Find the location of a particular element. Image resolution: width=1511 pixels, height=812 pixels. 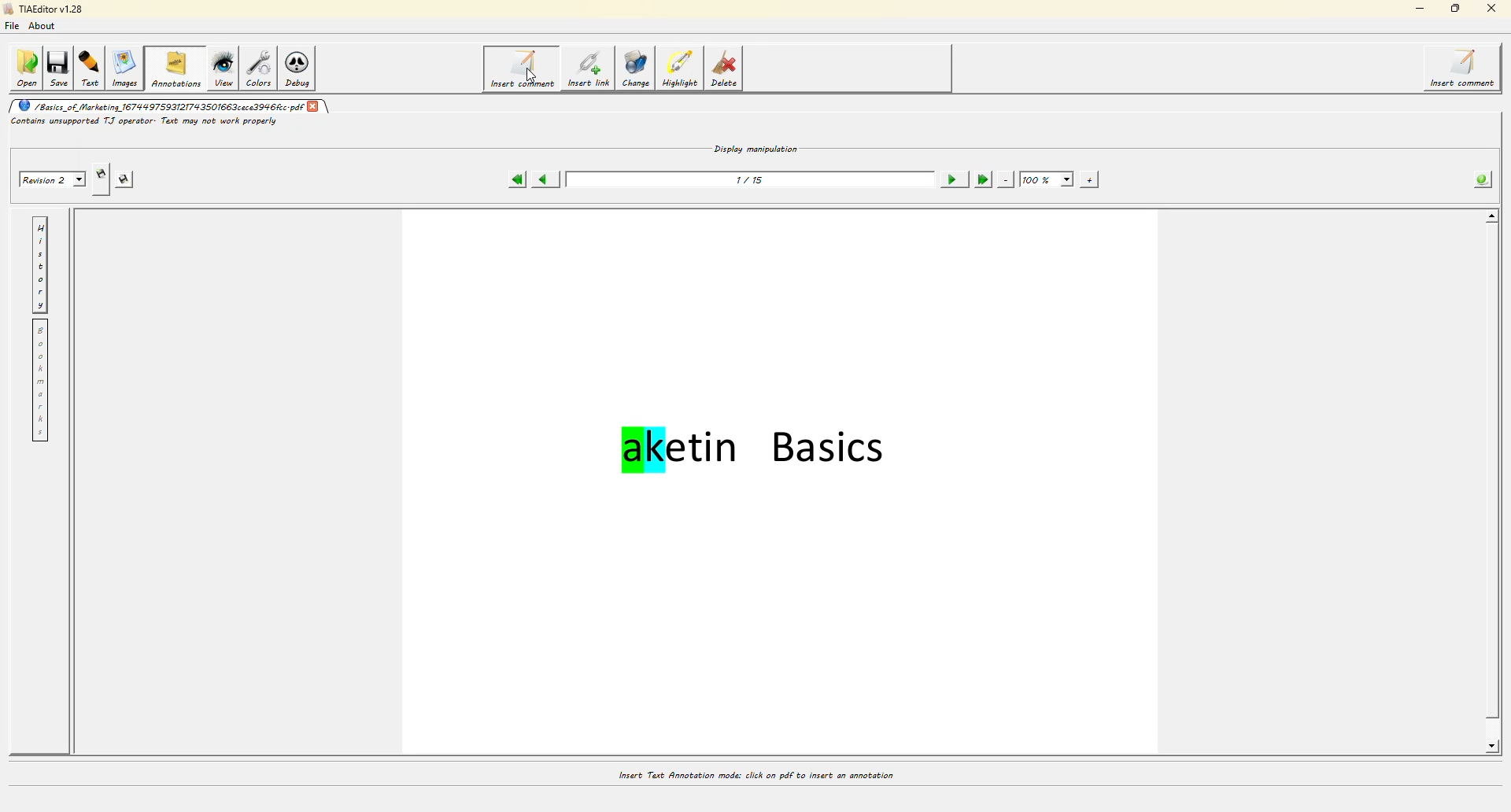

Contains unsupported T.J operator: Text may not work properly is located at coordinates (145, 122).